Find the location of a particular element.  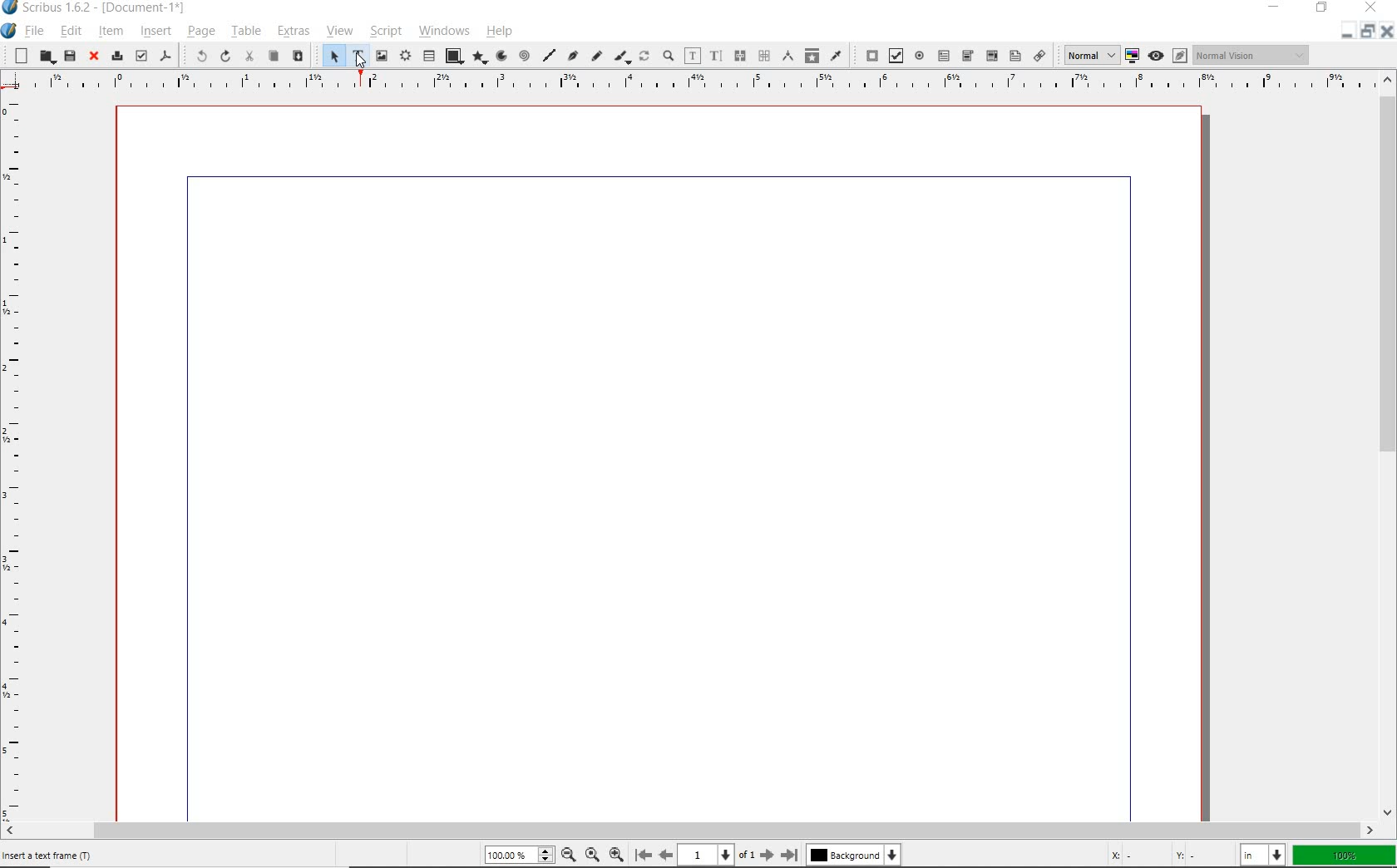

Normal is located at coordinates (1090, 55).